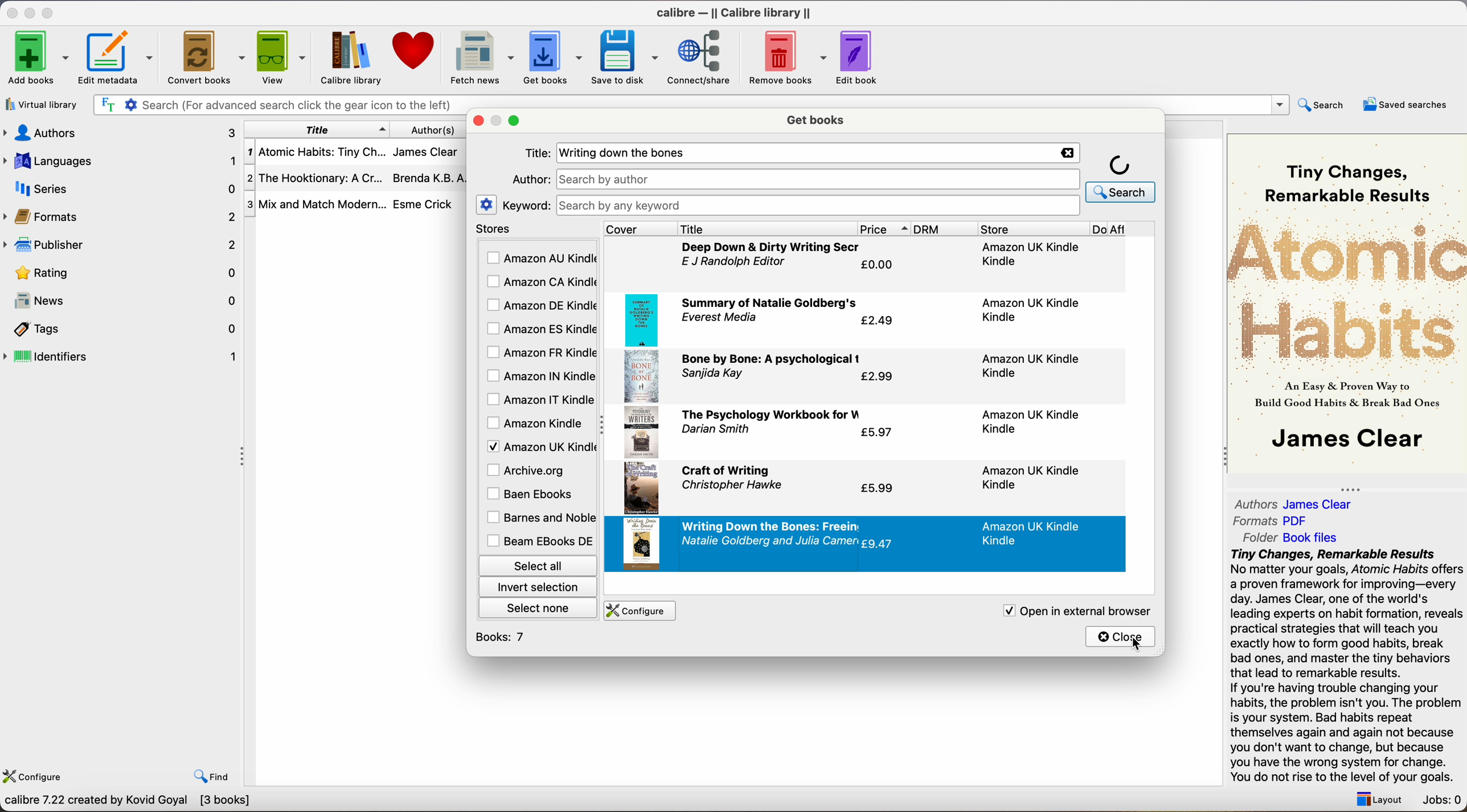 The height and width of the screenshot is (812, 1467). I want to click on do Af1, so click(1125, 230).